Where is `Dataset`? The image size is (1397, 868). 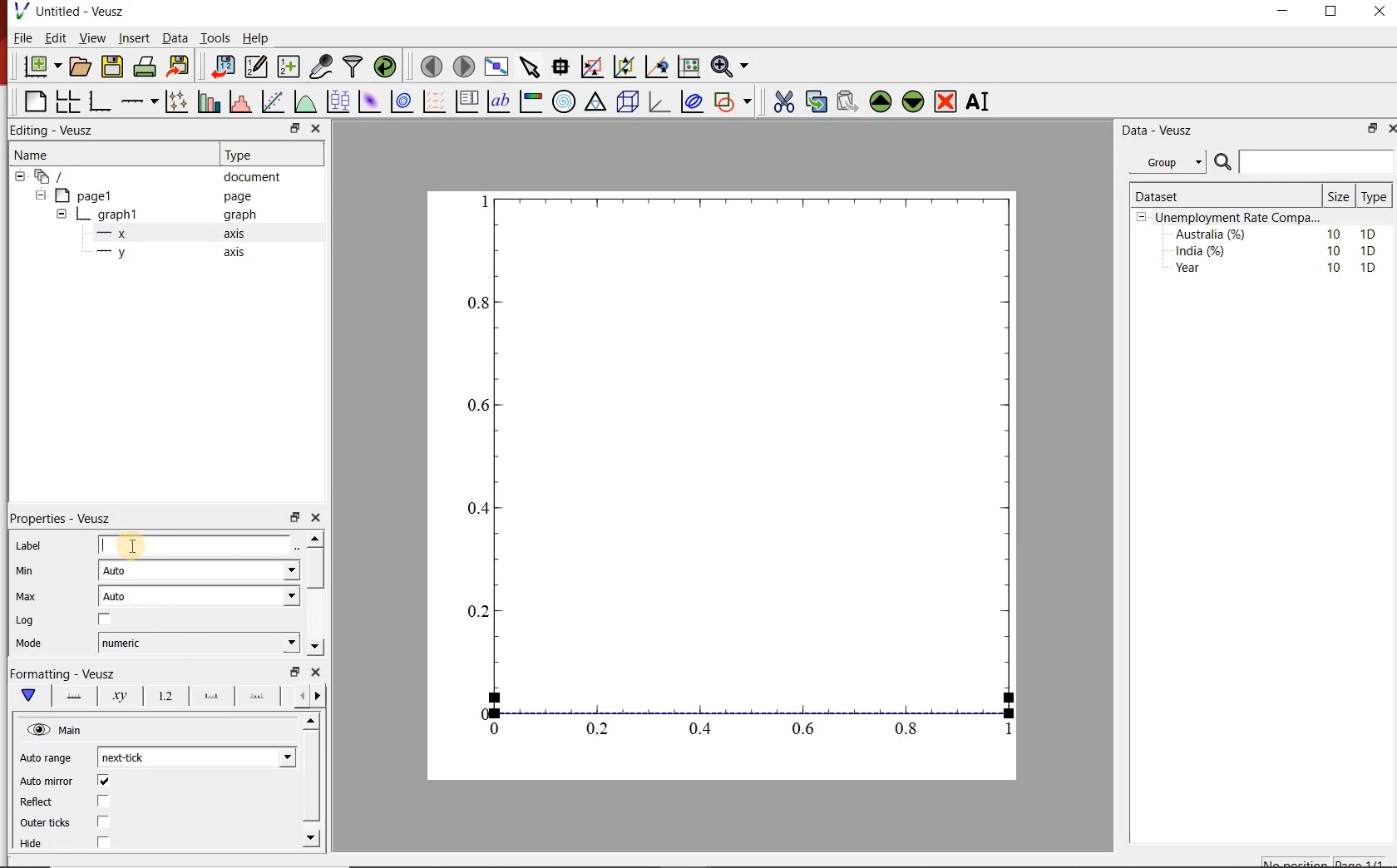
Dataset is located at coordinates (1196, 196).